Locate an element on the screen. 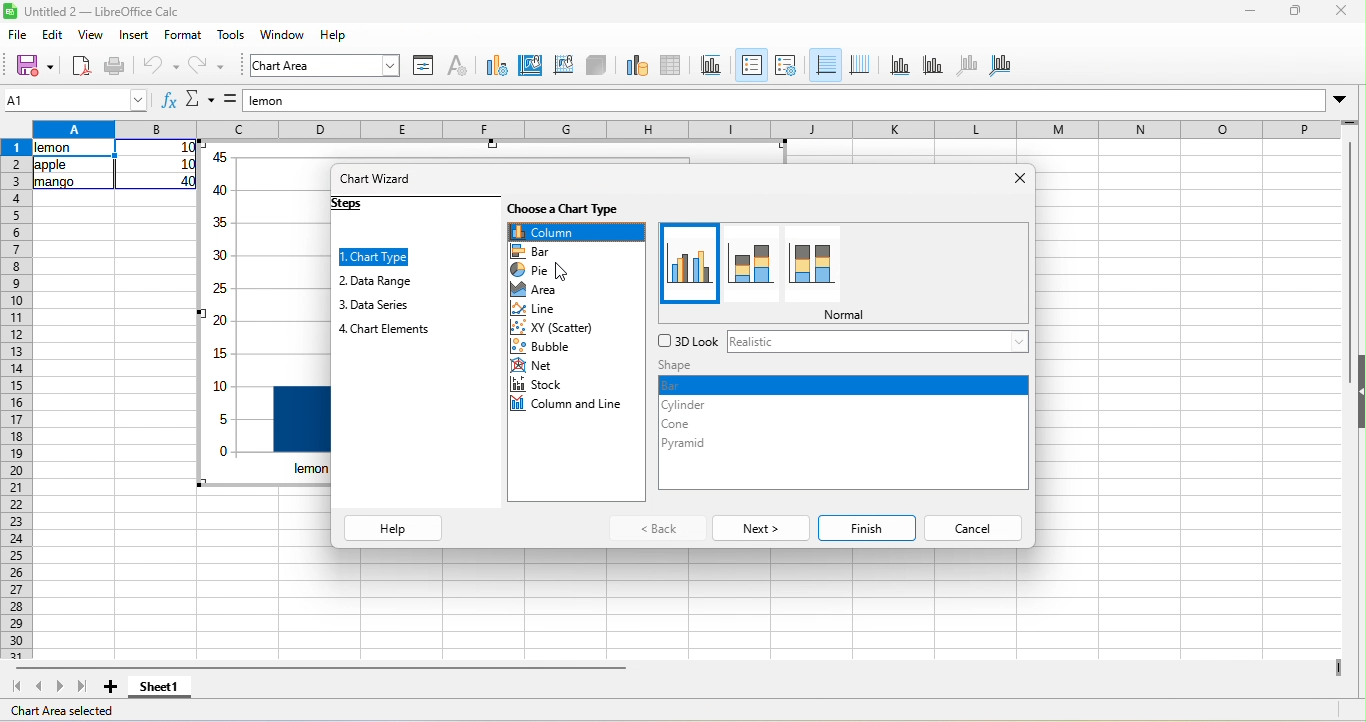 The width and height of the screenshot is (1366, 722). 40 is located at coordinates (187, 181).